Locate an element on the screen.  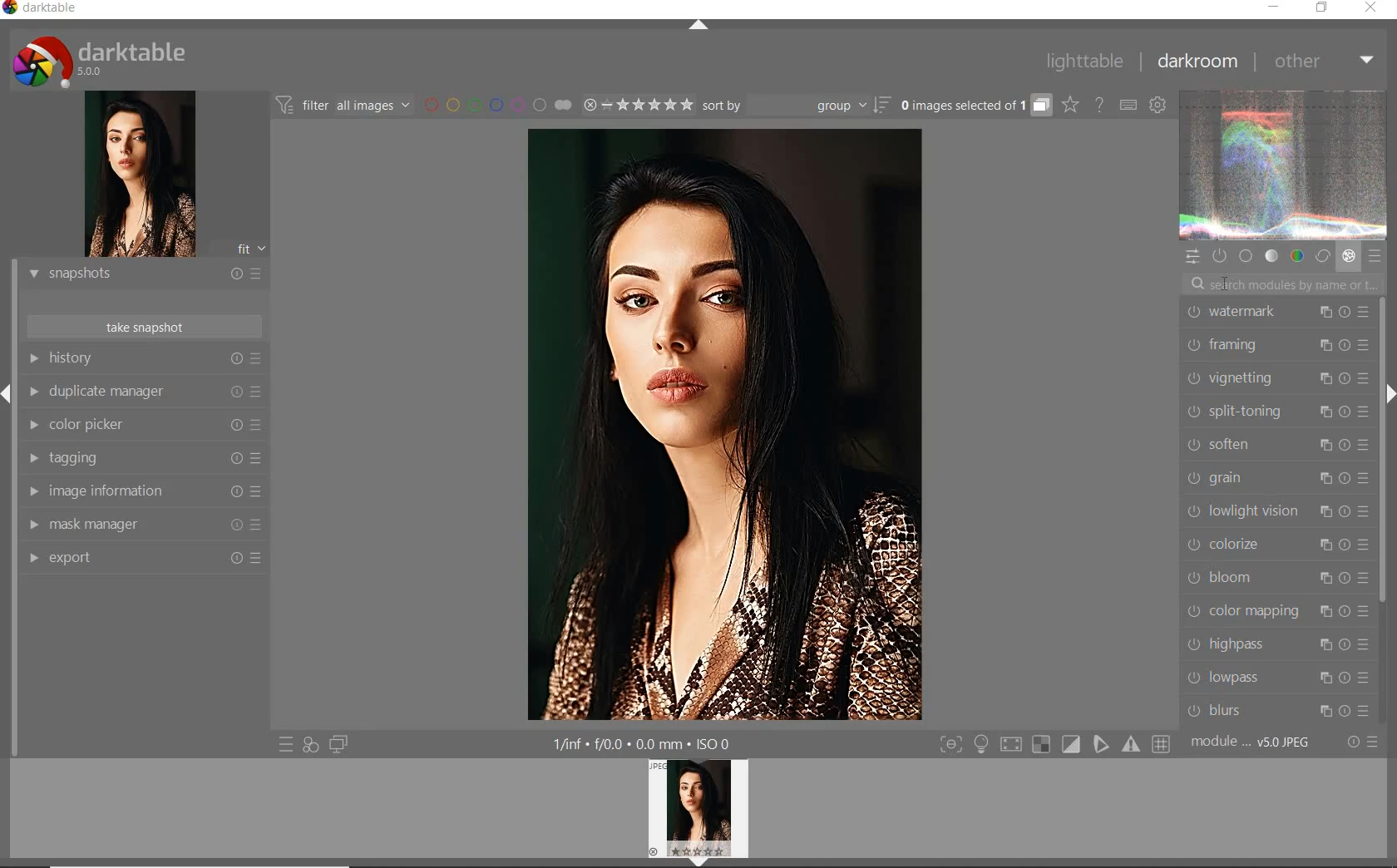
SNAPSHOTS is located at coordinates (141, 275).